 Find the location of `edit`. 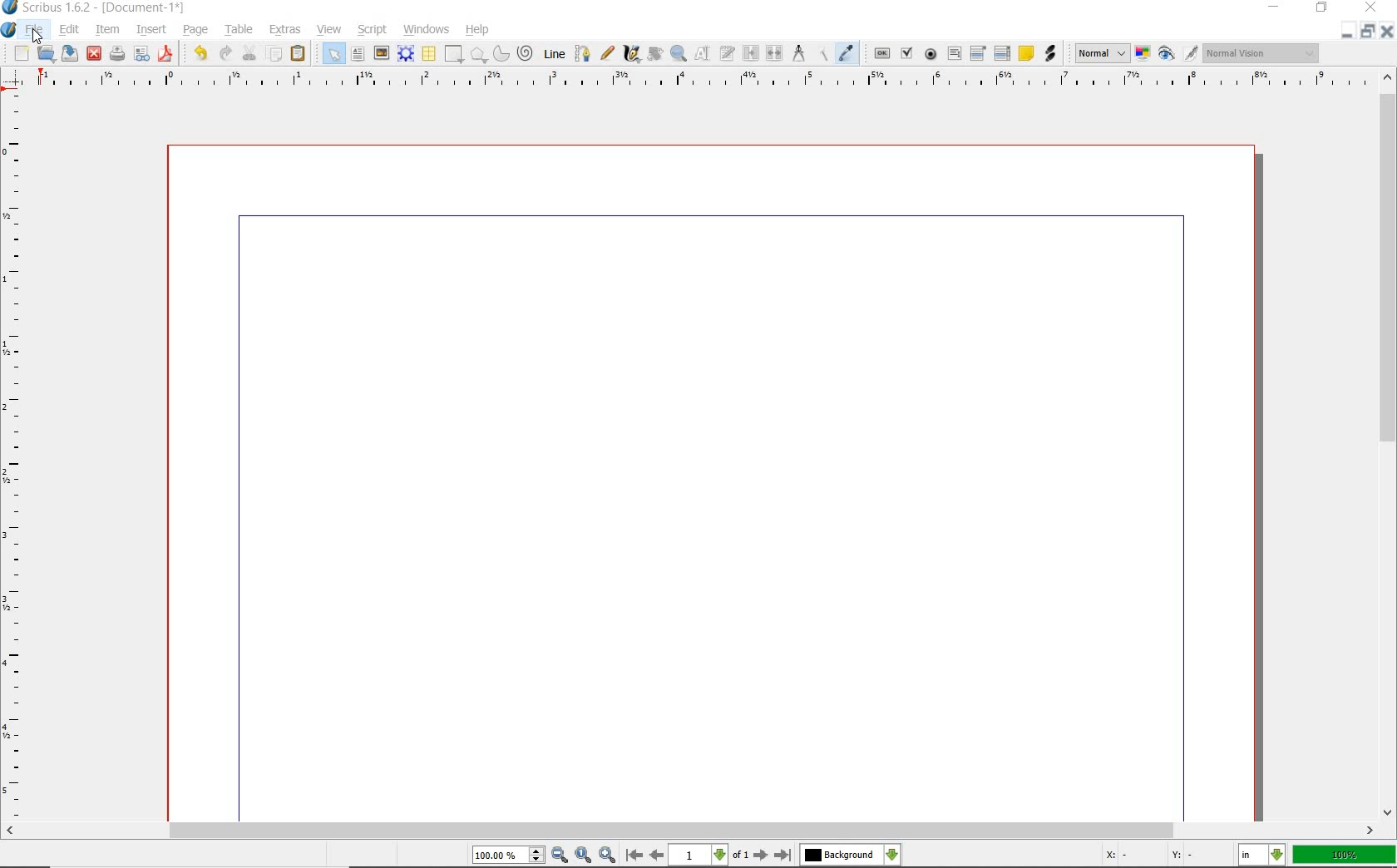

edit is located at coordinates (71, 29).